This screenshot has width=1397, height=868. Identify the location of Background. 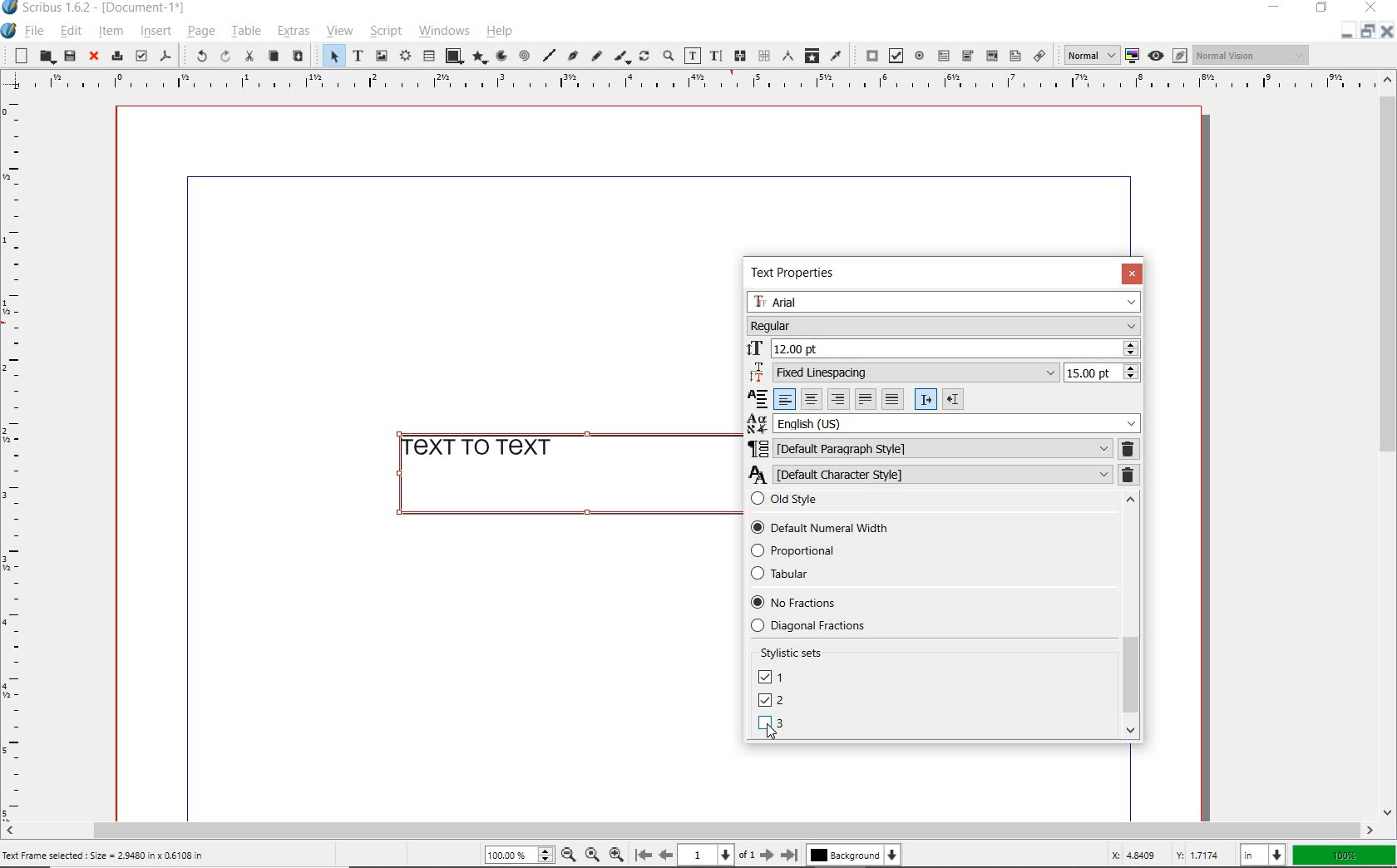
(855, 856).